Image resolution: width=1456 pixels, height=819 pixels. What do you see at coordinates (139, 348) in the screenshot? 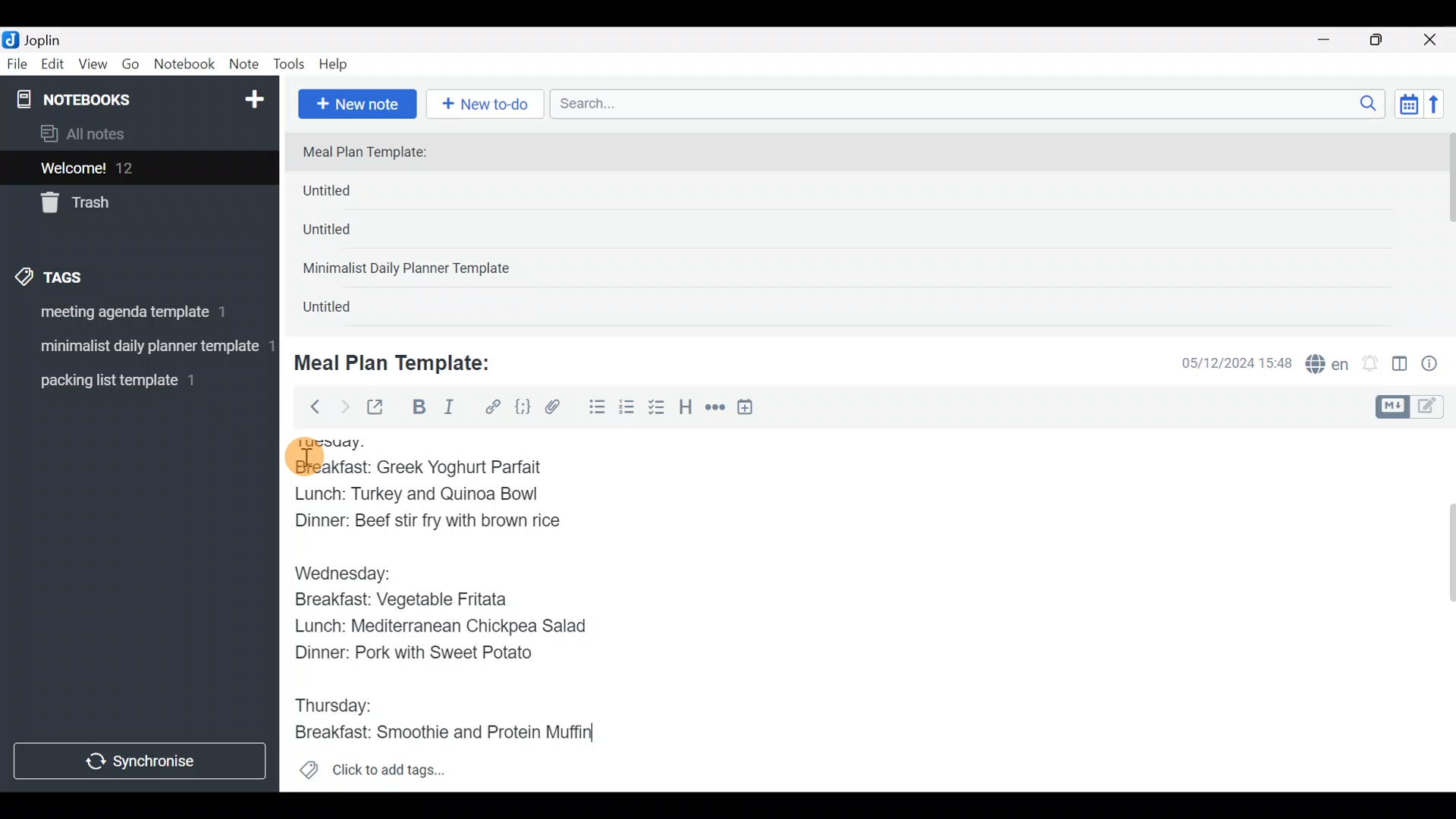
I see `Tag 2` at bounding box center [139, 348].